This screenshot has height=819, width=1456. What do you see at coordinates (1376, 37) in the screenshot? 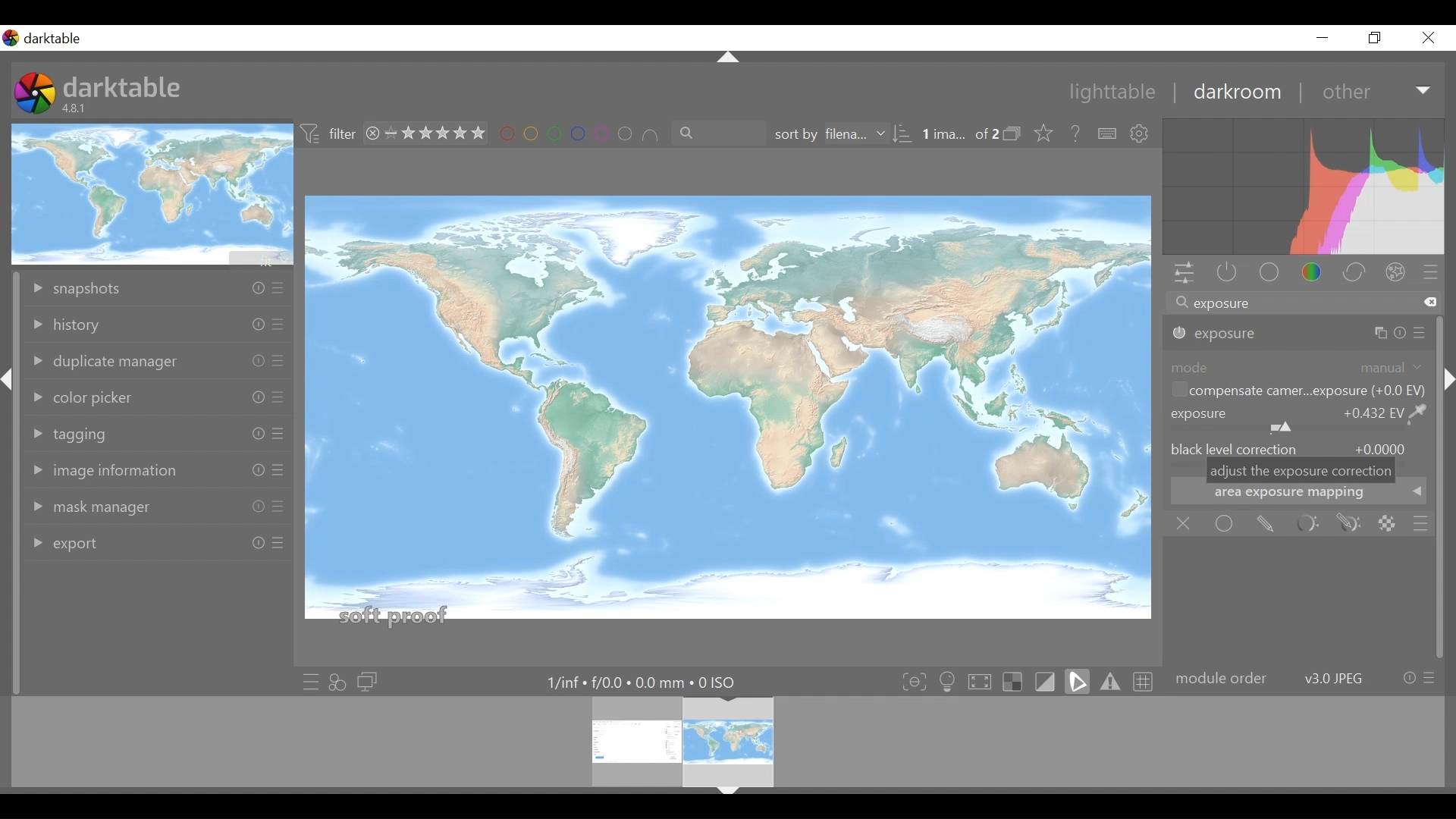
I see `resize` at bounding box center [1376, 37].